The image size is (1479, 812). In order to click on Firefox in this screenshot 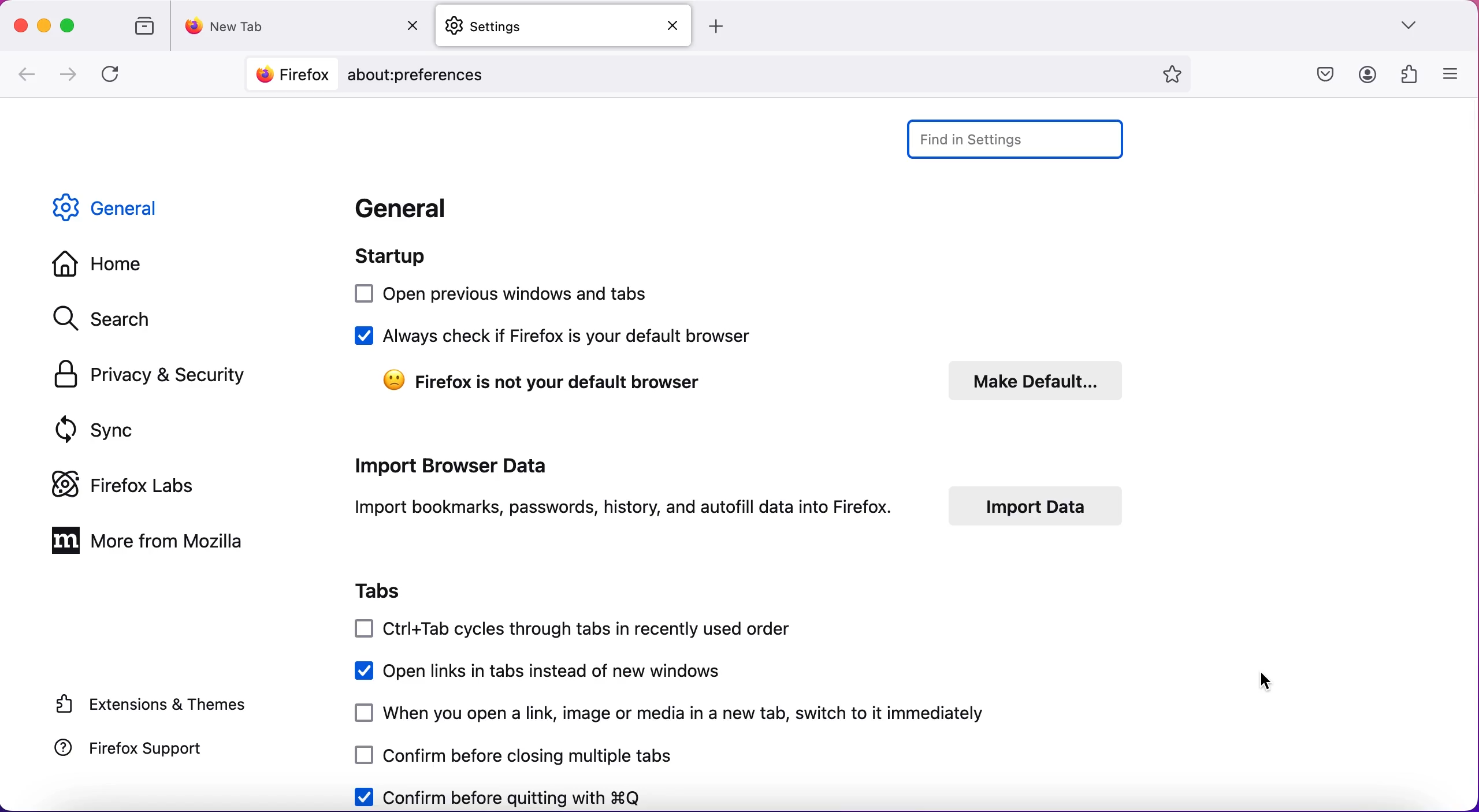, I will do `click(292, 75)`.